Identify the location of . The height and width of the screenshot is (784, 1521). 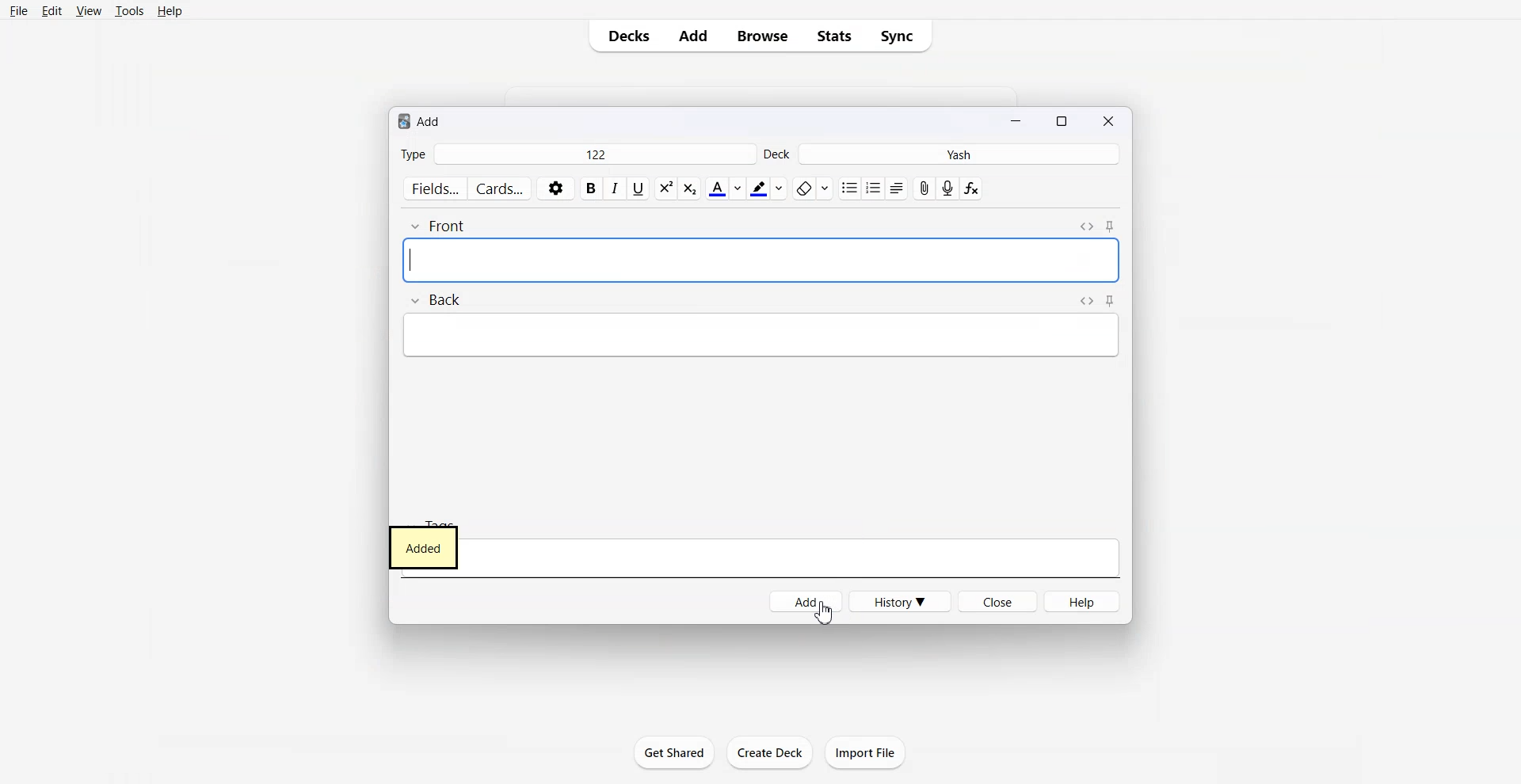
(760, 335).